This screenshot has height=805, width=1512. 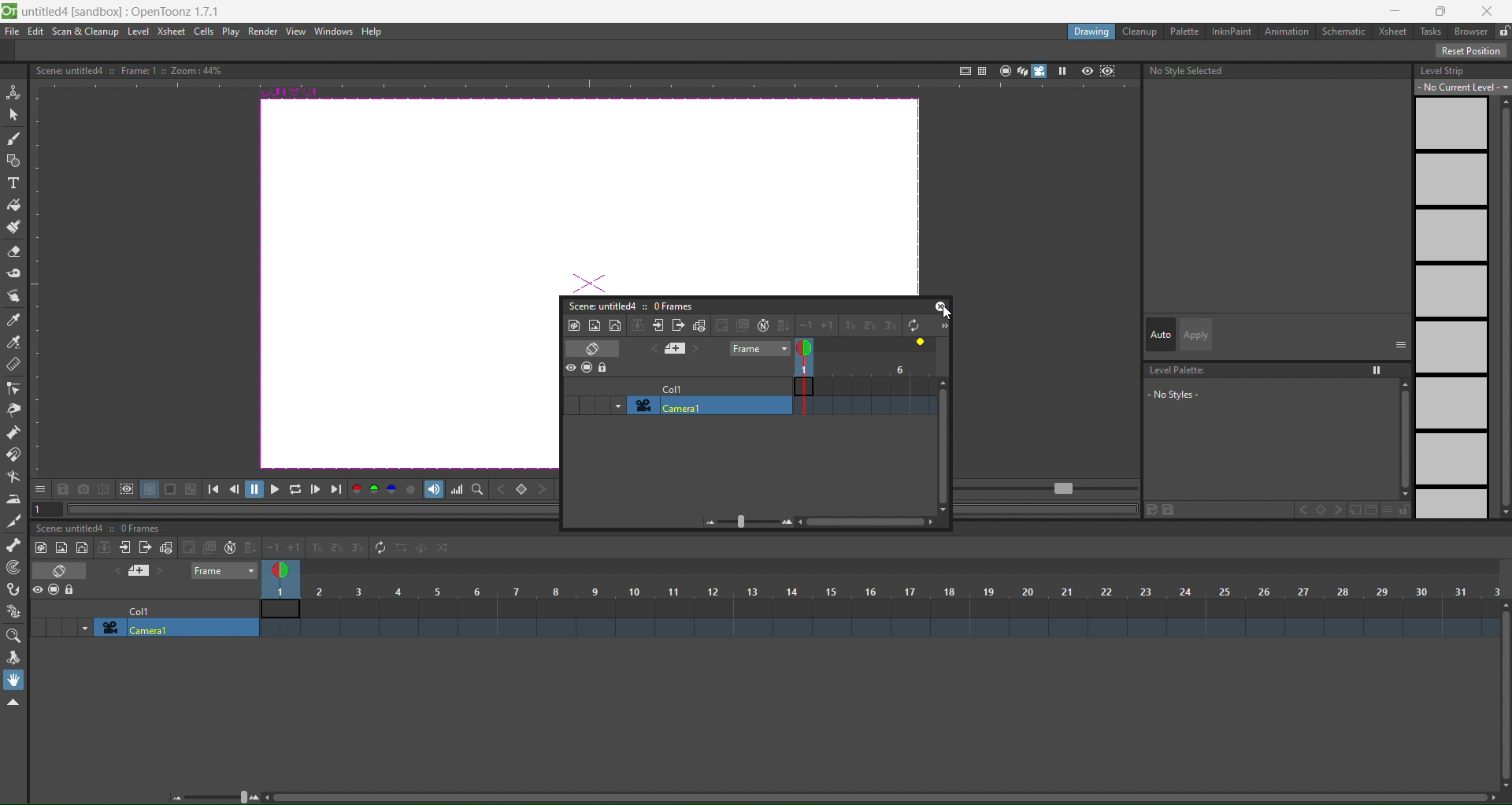 I want to click on ew raster level, so click(x=60, y=548).